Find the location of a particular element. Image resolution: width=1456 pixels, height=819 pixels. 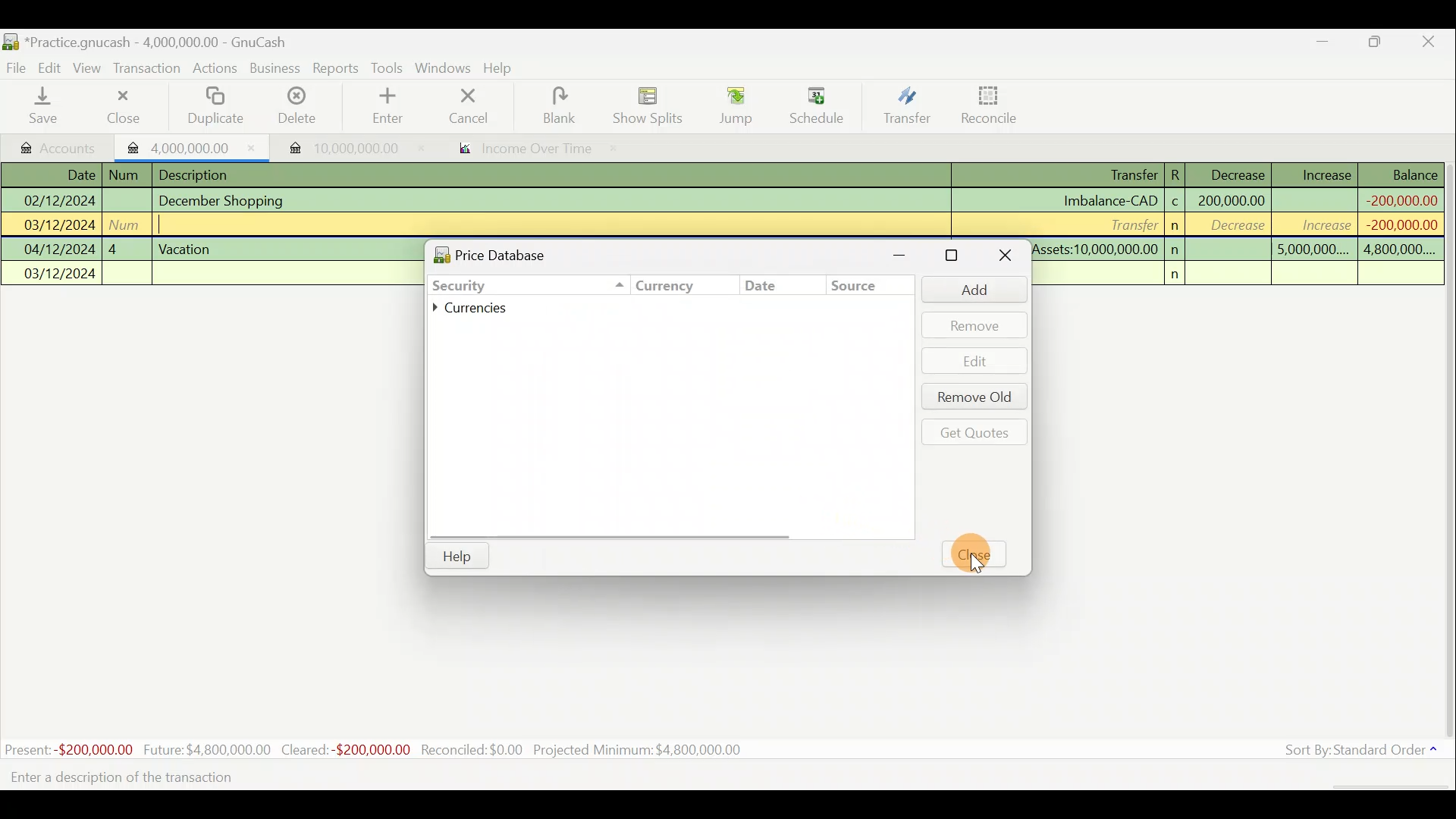

Remove is located at coordinates (974, 325).